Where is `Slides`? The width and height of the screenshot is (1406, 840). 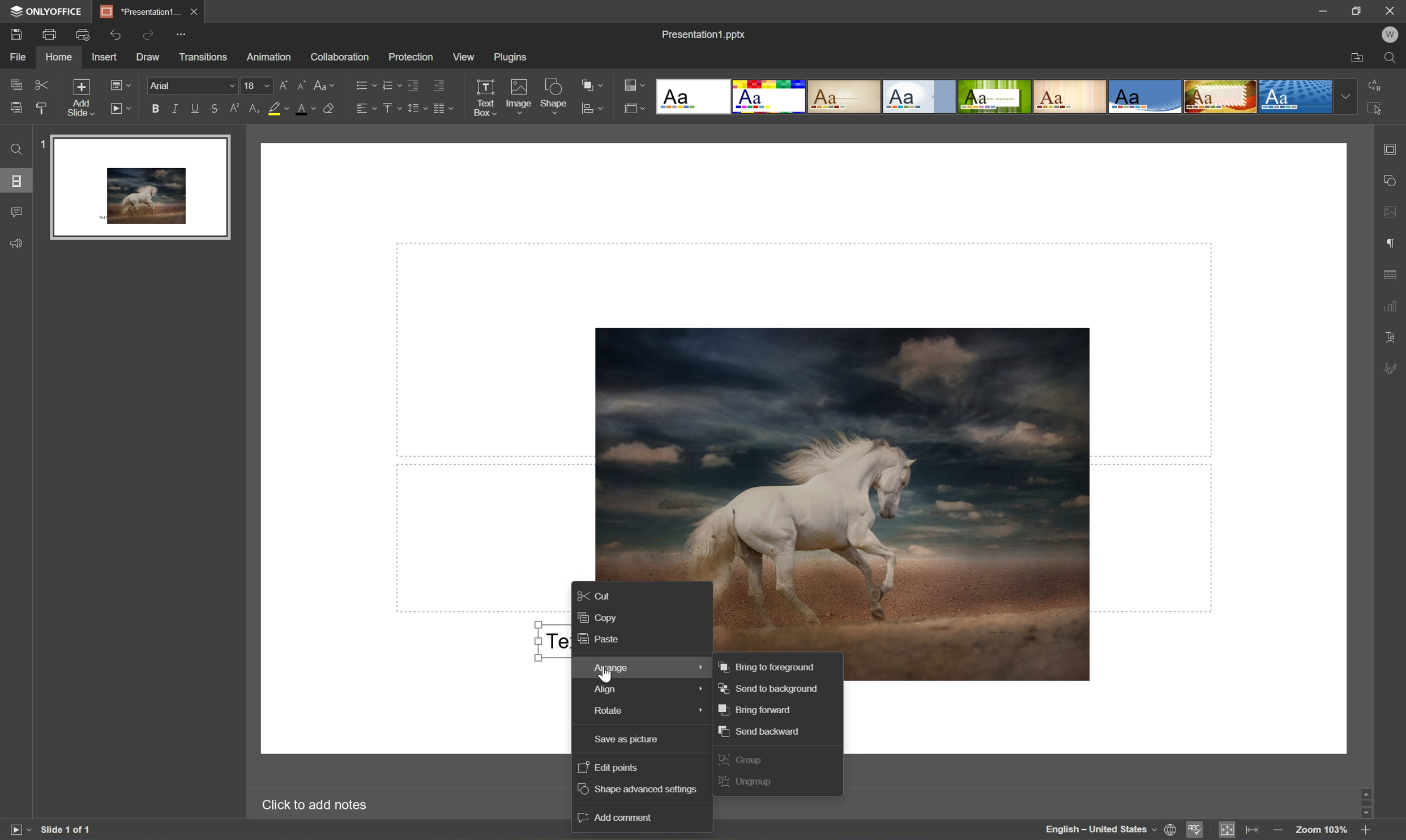
Slides is located at coordinates (15, 181).